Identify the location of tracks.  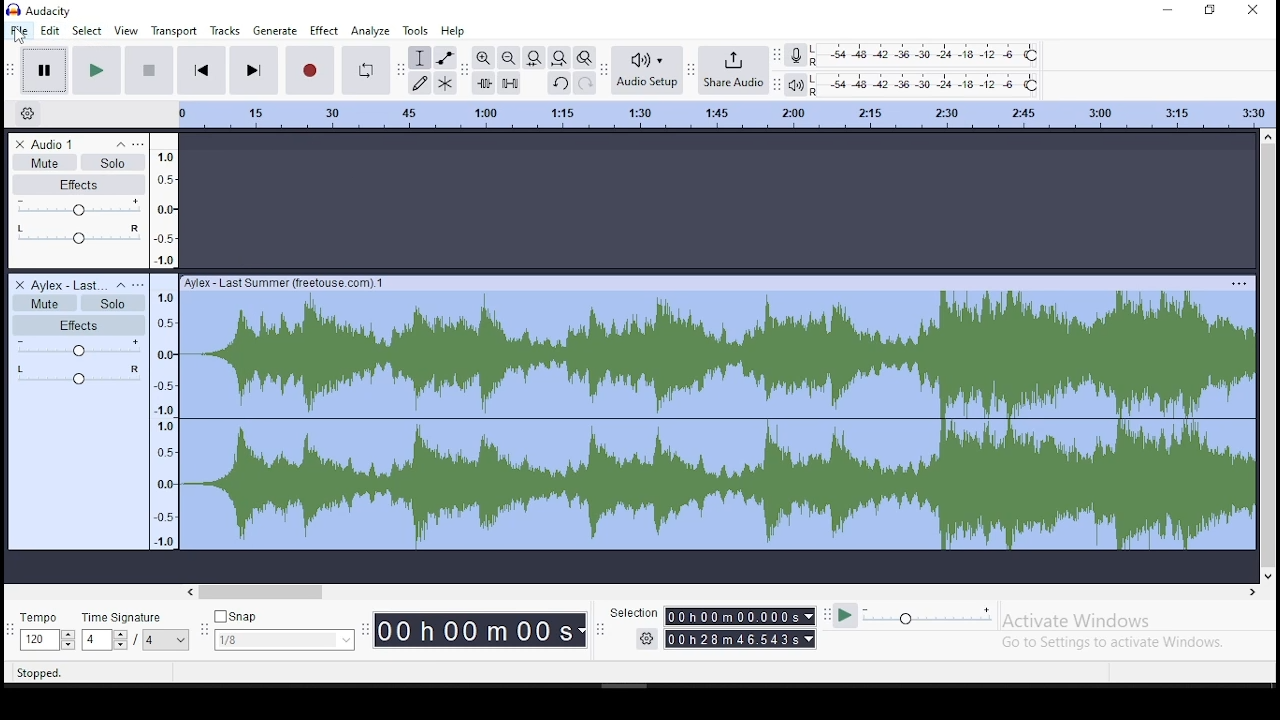
(226, 30).